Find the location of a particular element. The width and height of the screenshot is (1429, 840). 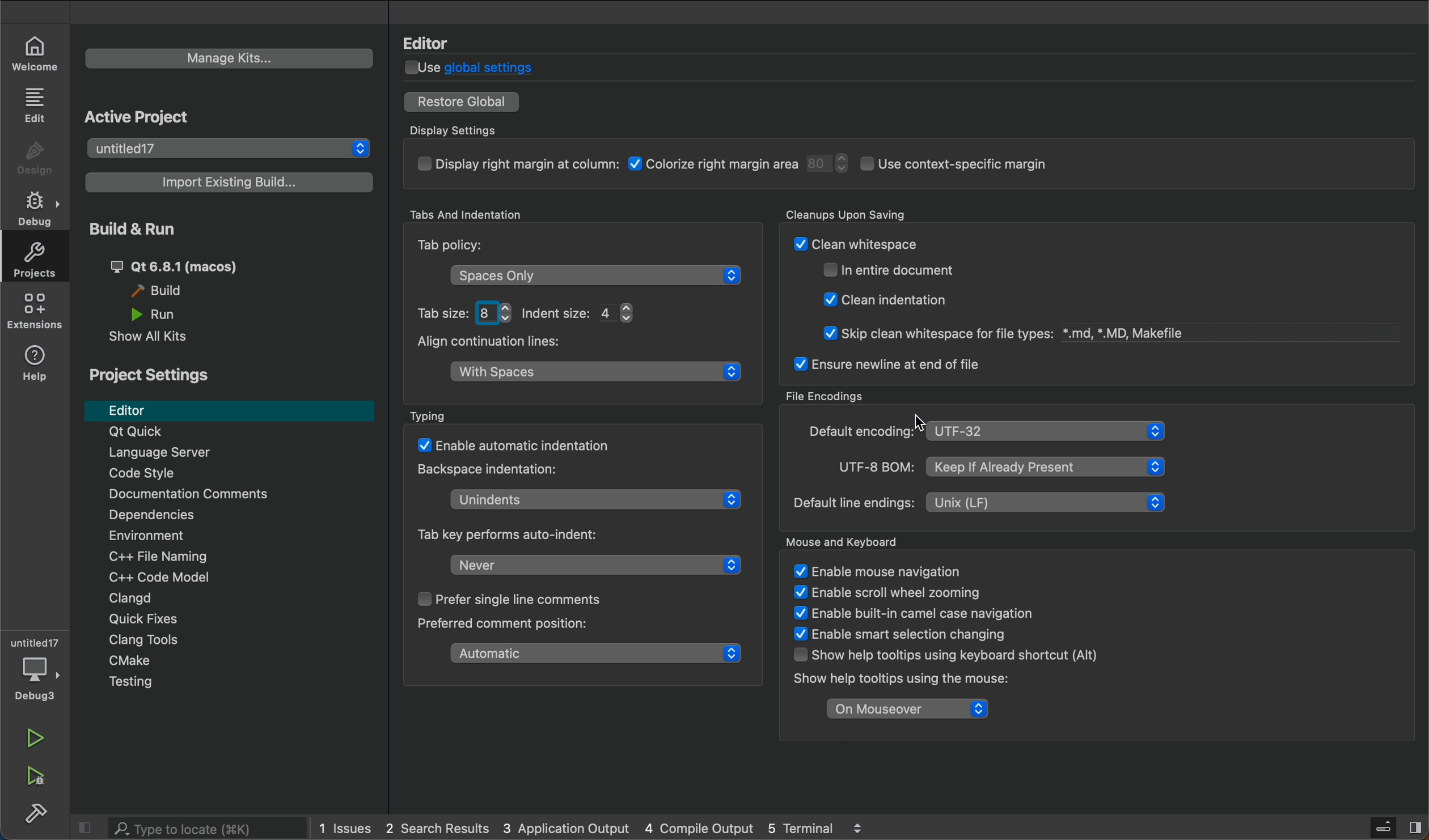

search is located at coordinates (196, 827).